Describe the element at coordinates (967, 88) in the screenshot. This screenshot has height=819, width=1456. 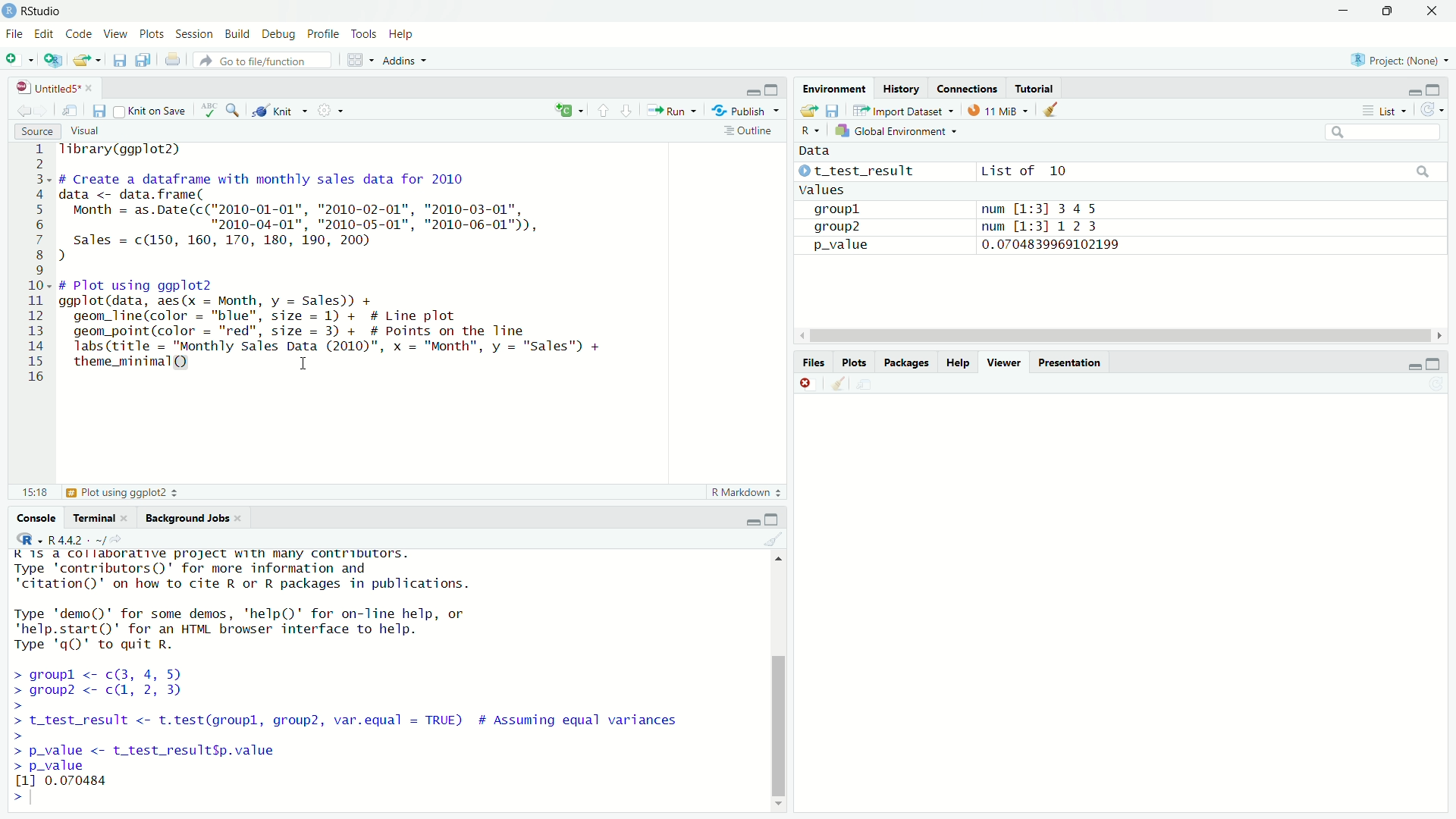
I see `Connections.` at that location.